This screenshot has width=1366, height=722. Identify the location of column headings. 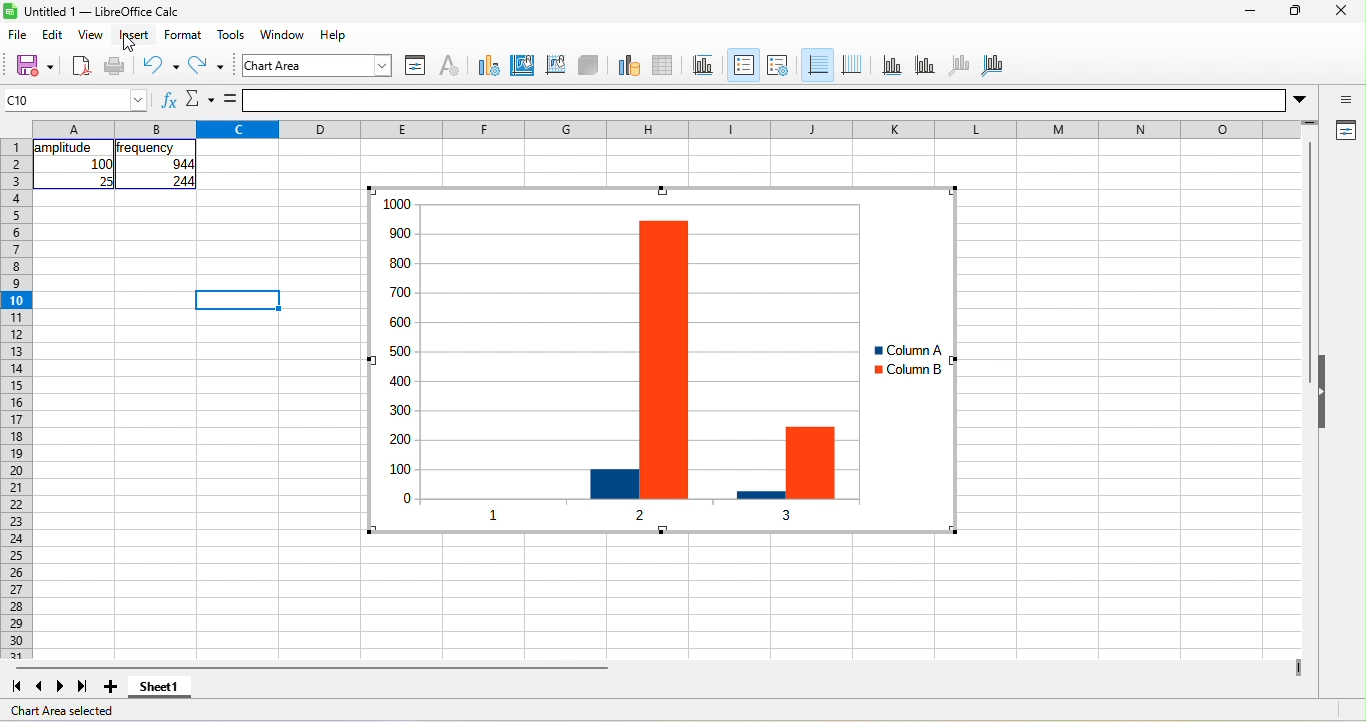
(672, 127).